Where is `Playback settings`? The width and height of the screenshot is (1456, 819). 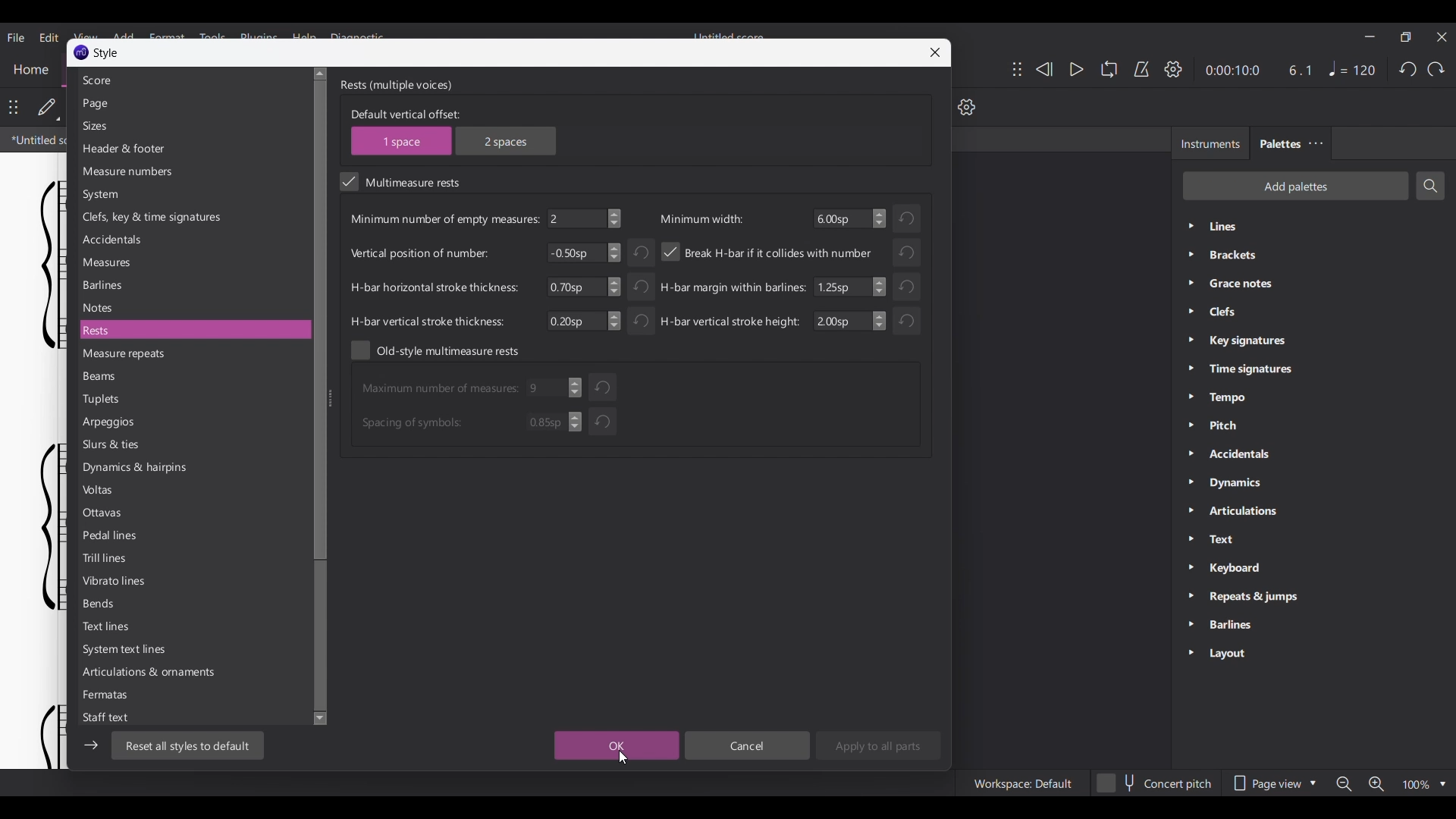 Playback settings is located at coordinates (1174, 68).